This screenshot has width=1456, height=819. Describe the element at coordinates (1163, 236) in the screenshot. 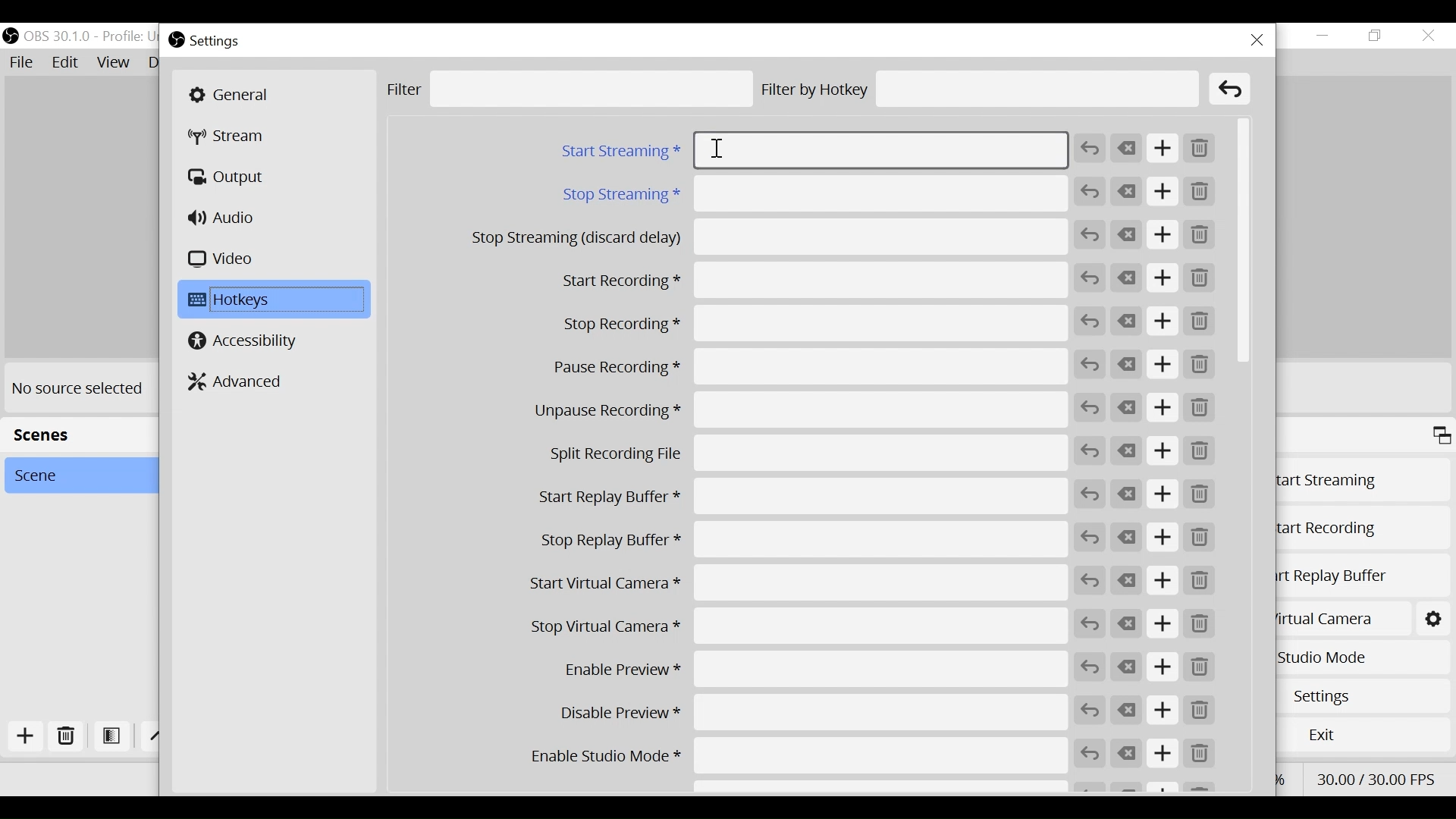

I see `Add` at that location.